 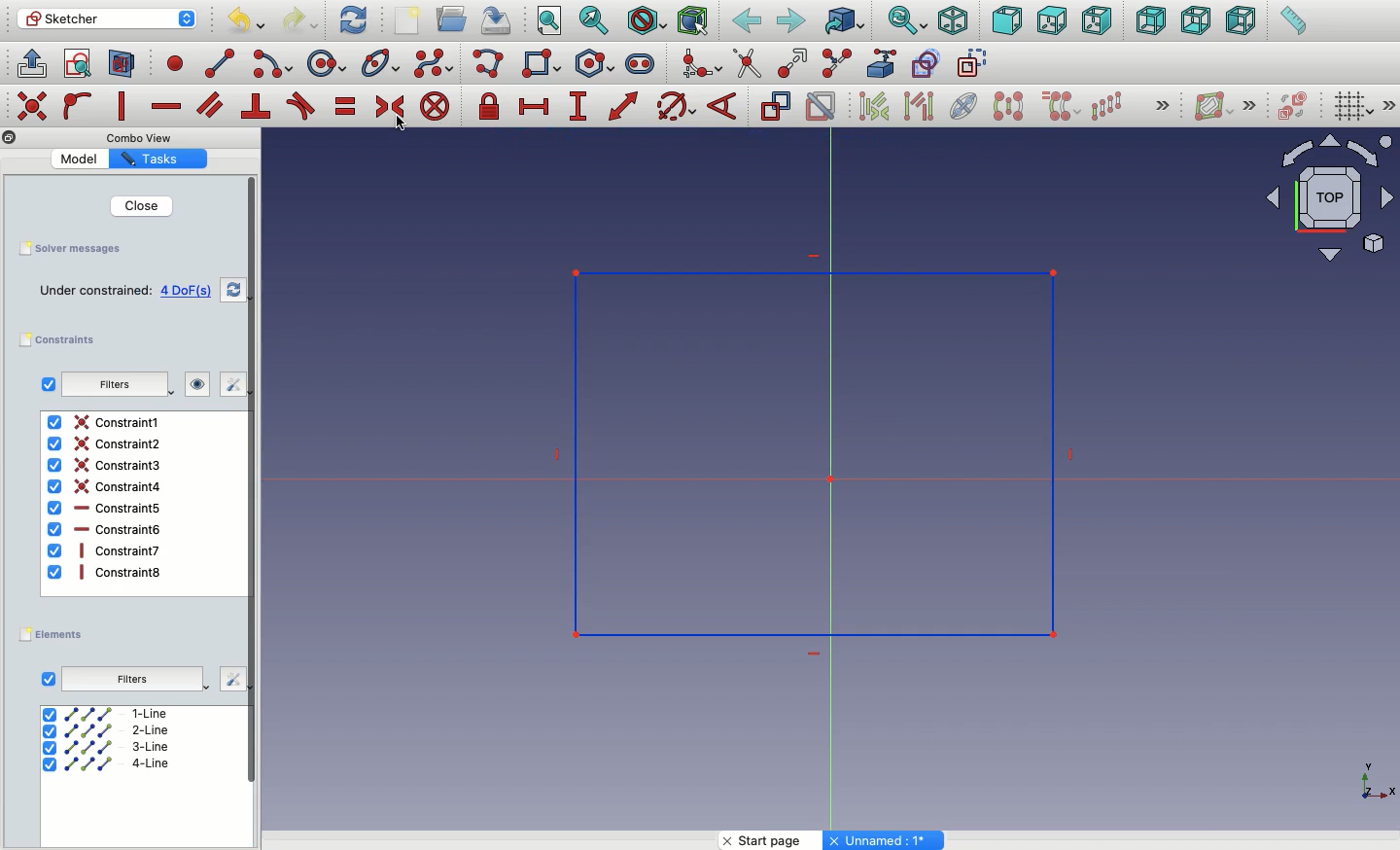 I want to click on Constraint3, so click(x=107, y=466).